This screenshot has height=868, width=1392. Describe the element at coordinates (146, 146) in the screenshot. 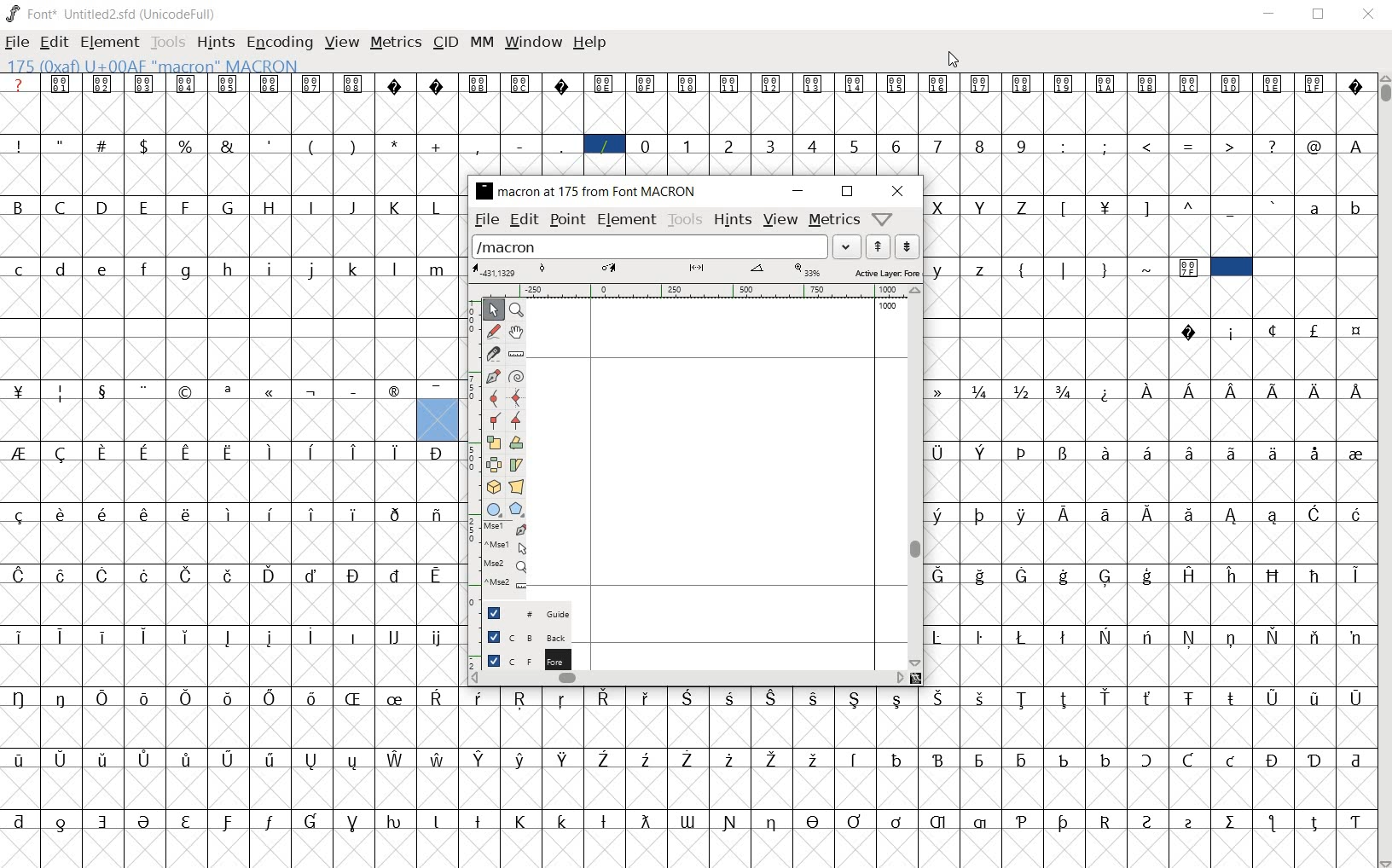

I see `$` at that location.